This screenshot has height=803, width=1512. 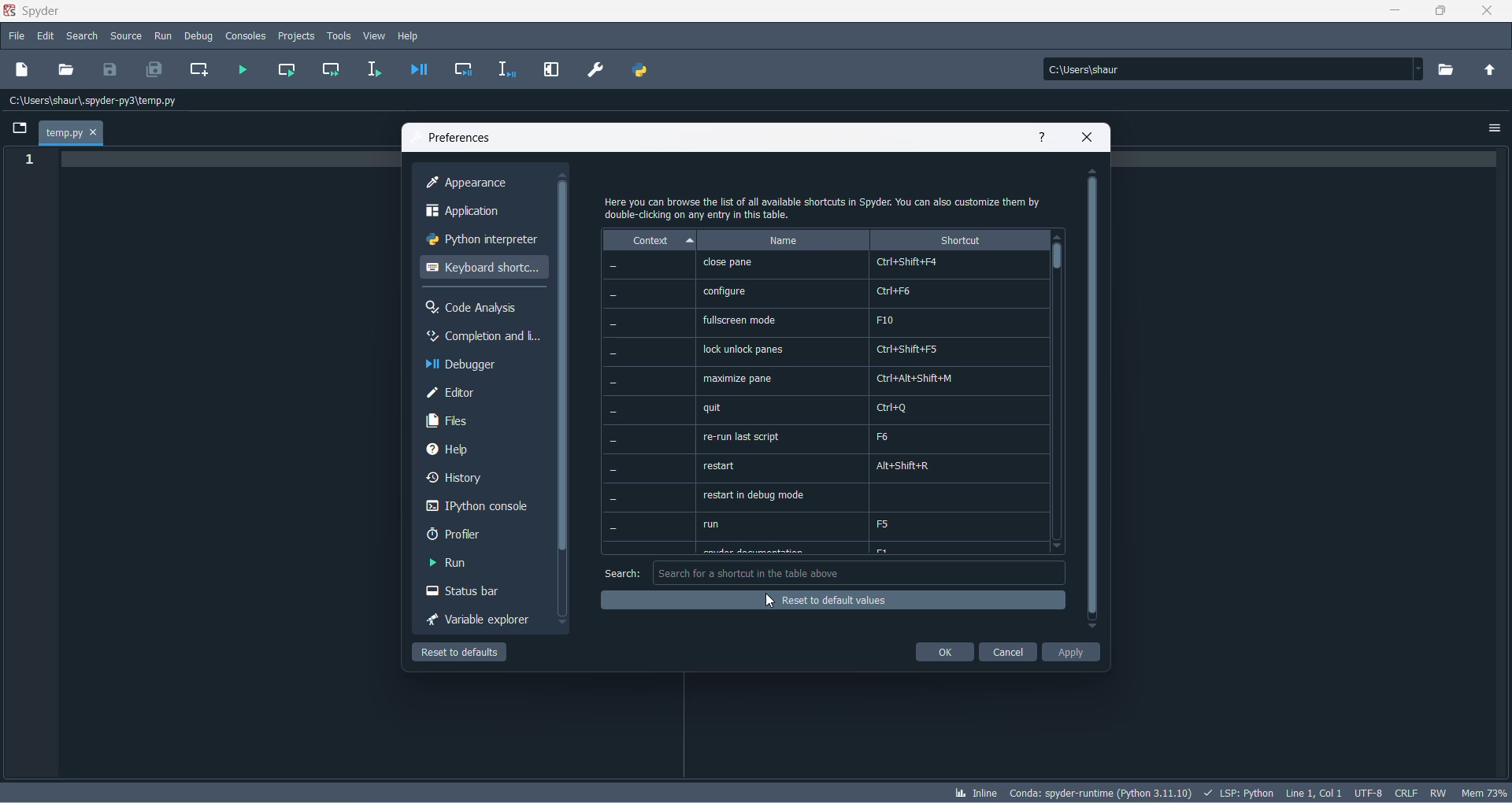 I want to click on spyder version, so click(x=1099, y=792).